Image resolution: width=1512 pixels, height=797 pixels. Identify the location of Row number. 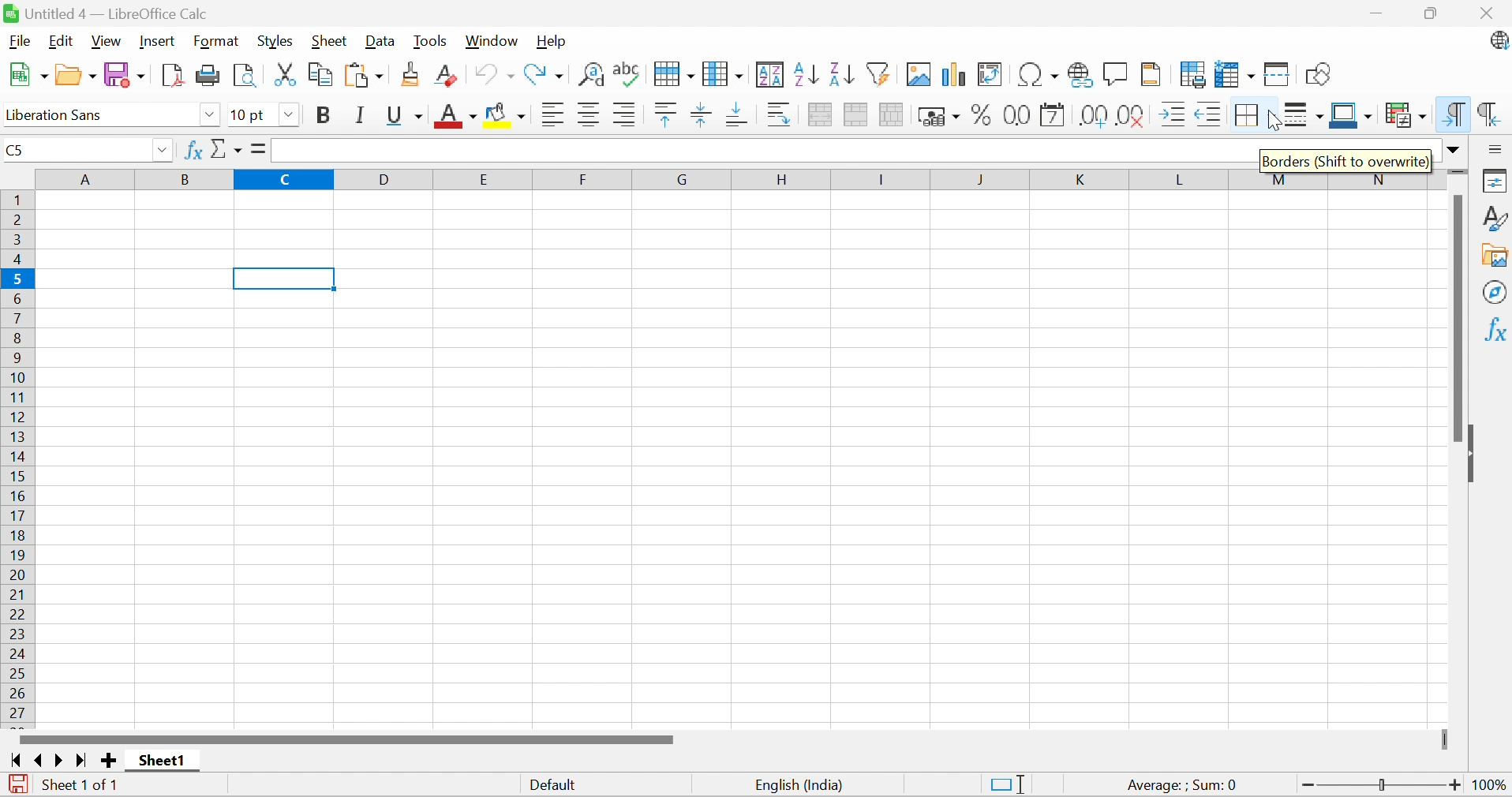
(18, 458).